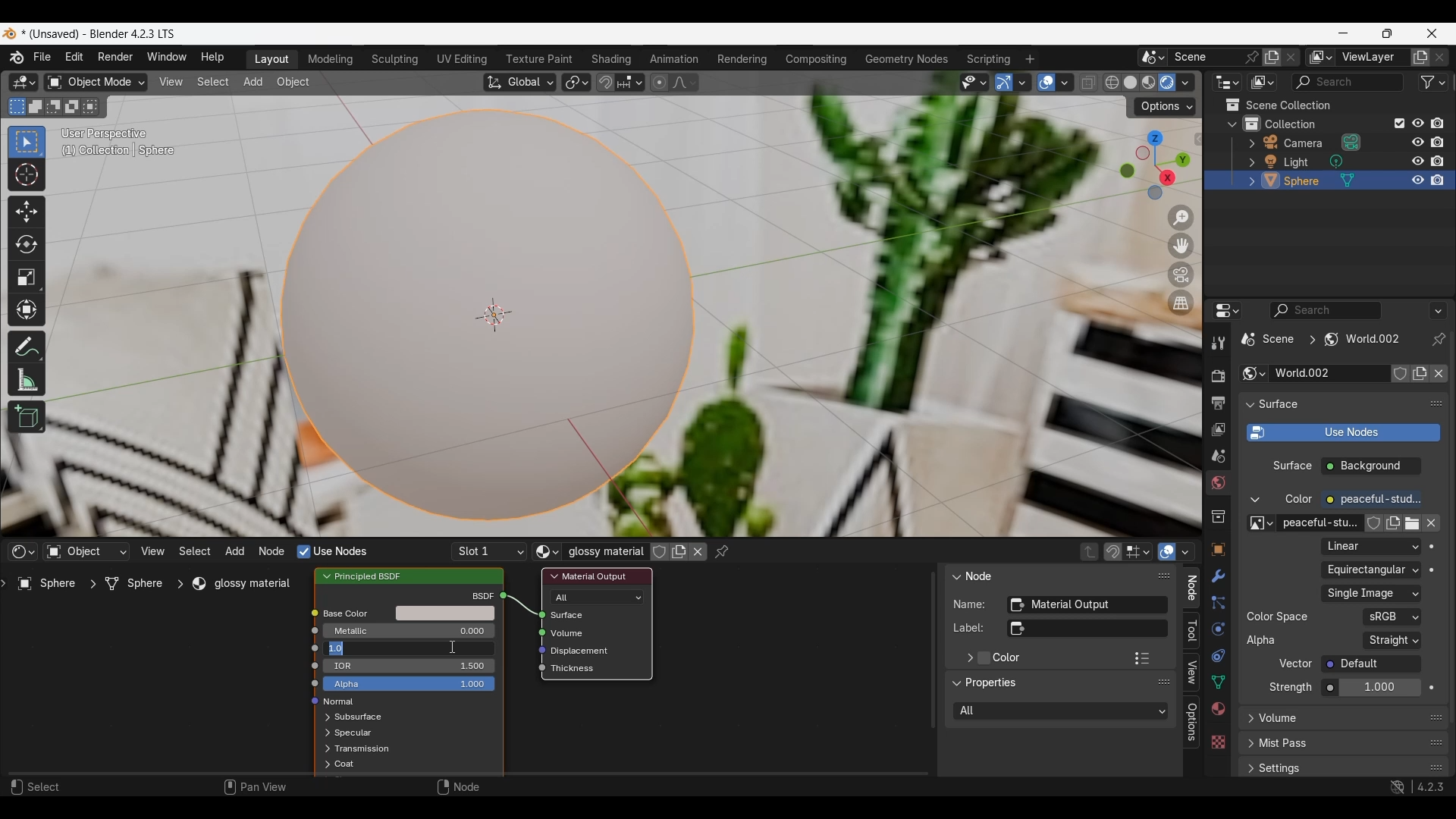 The height and width of the screenshot is (819, 1456). I want to click on Color presets, so click(1142, 658).